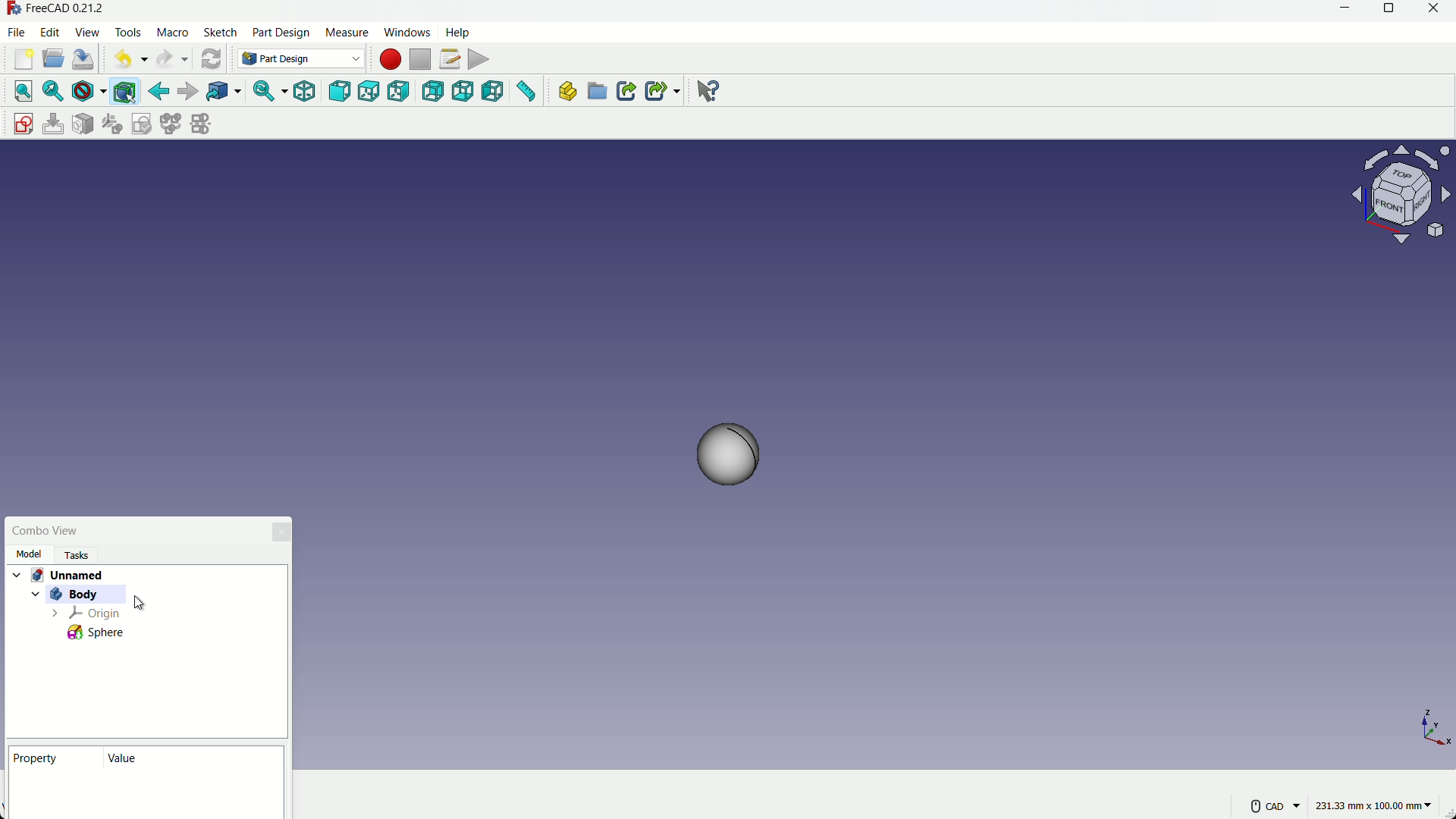 The image size is (1456, 819). I want to click on edit , so click(50, 31).